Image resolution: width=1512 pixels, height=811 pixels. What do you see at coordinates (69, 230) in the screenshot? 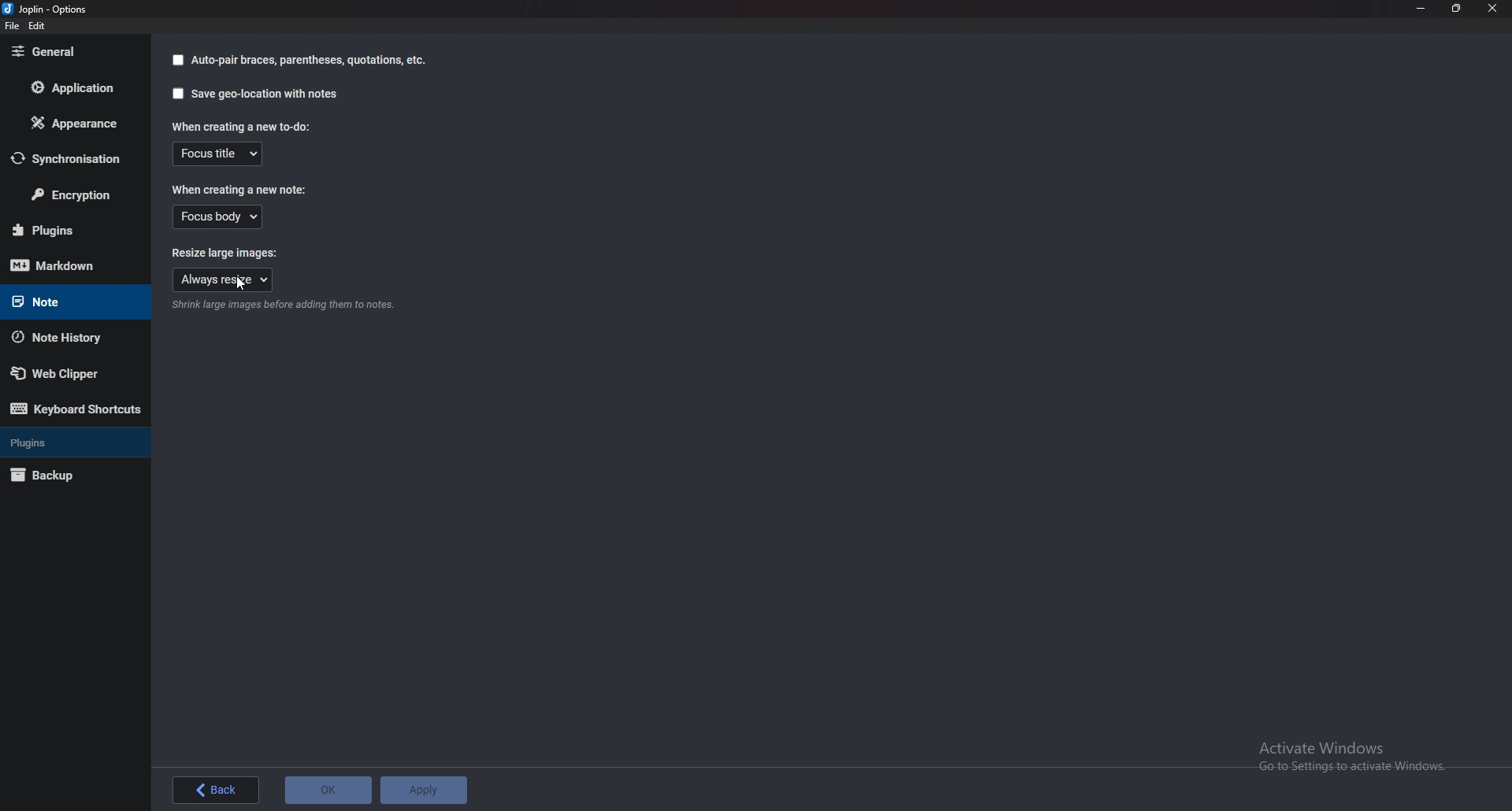
I see `Plugins` at bounding box center [69, 230].